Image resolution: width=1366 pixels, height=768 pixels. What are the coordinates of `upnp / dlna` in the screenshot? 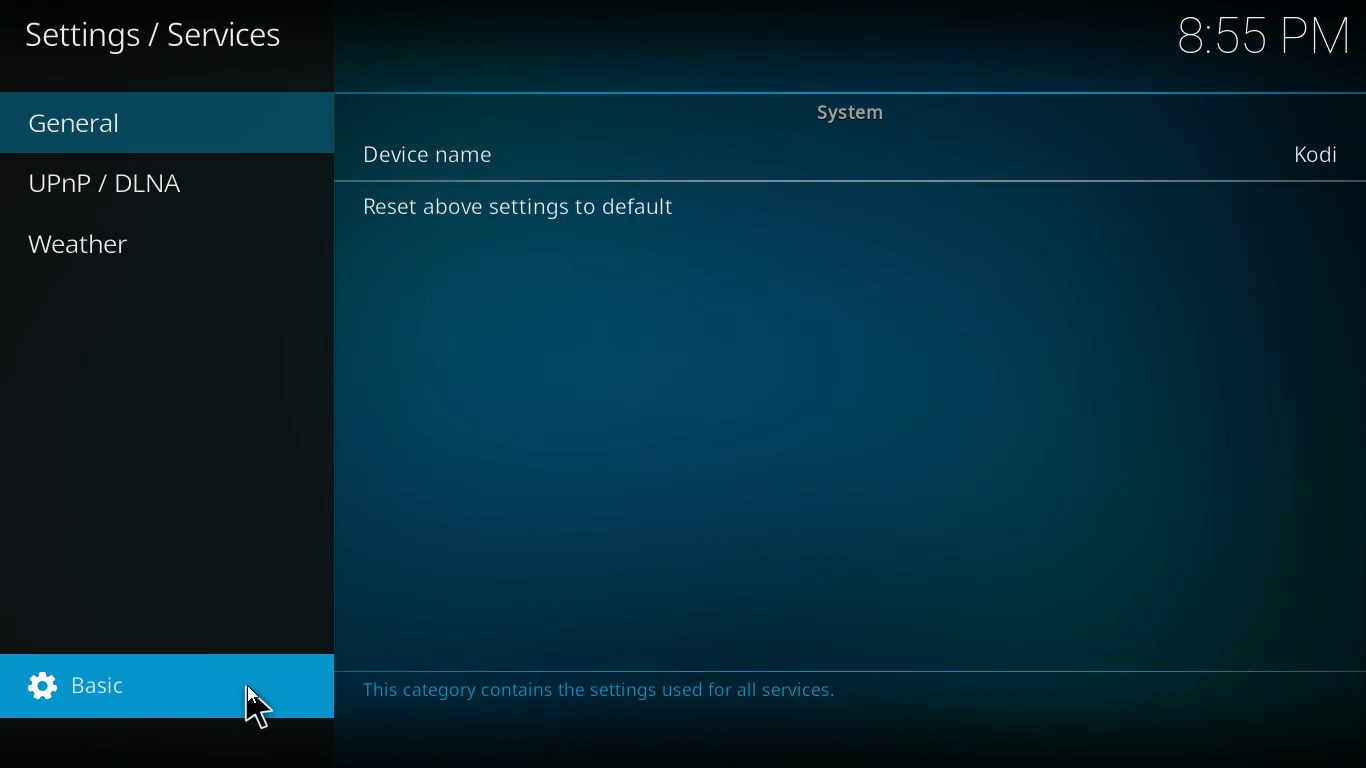 It's located at (114, 178).